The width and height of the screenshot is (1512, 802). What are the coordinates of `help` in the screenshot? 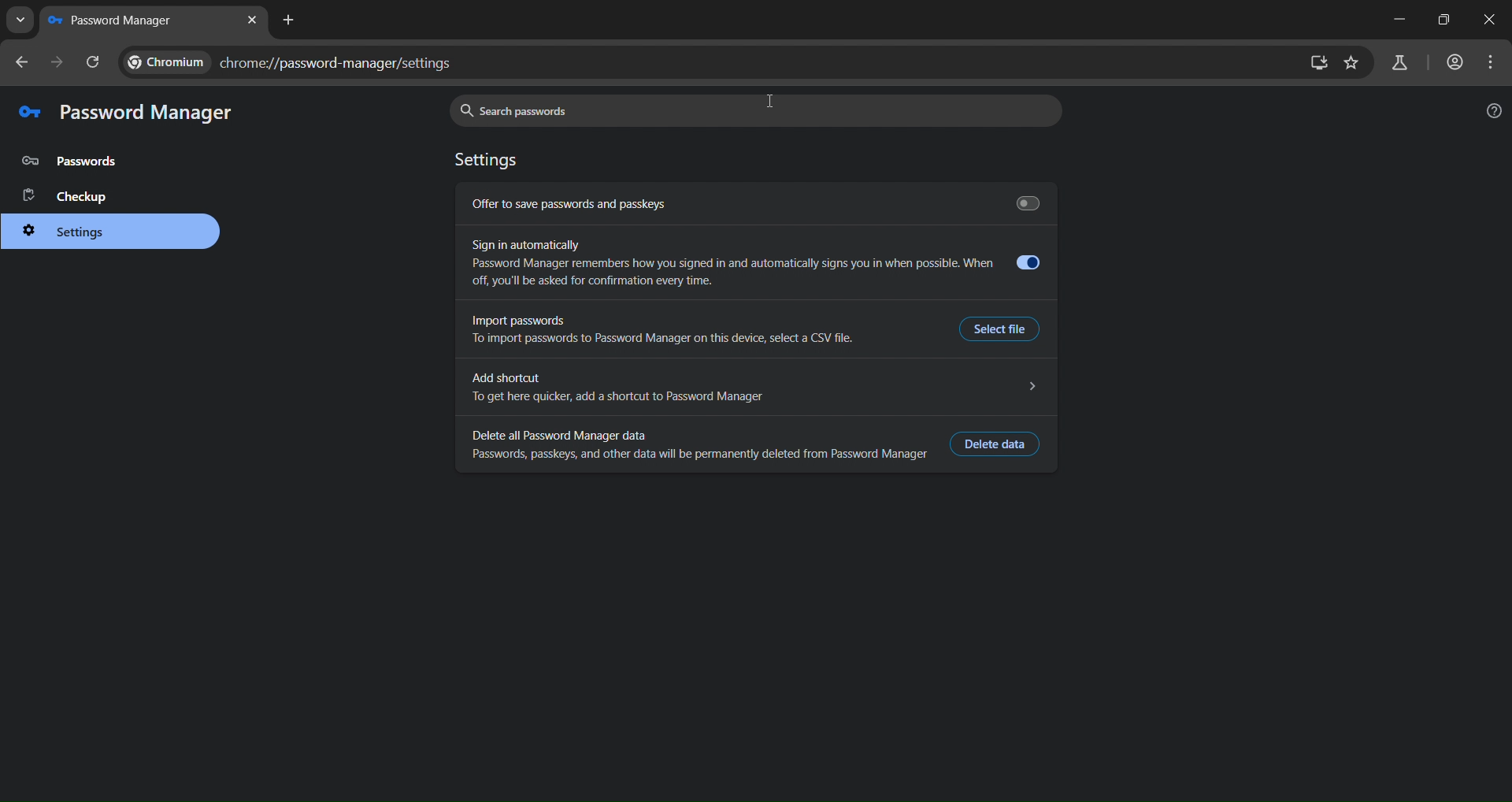 It's located at (1489, 110).